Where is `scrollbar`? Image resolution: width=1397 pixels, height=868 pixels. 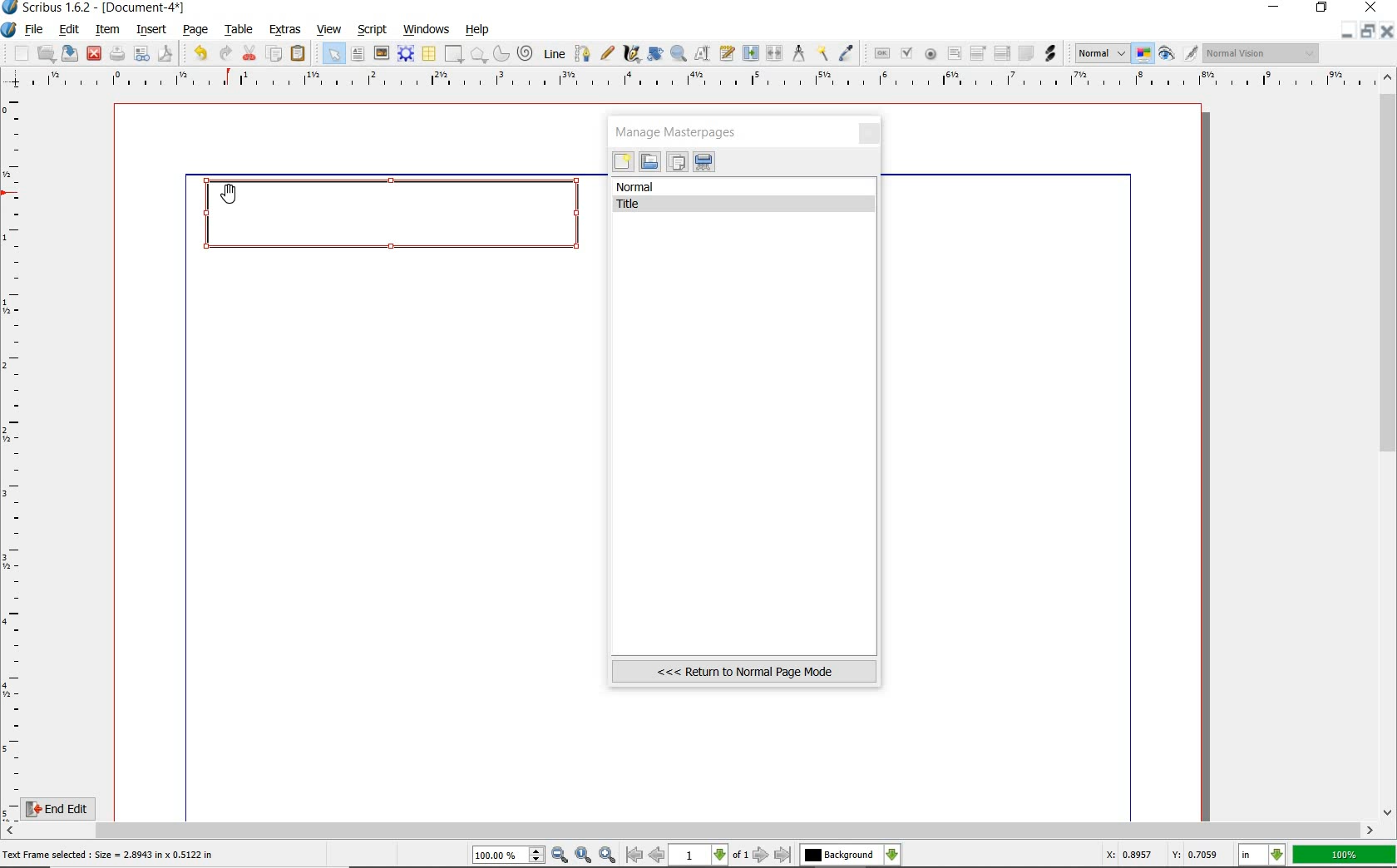 scrollbar is located at coordinates (690, 831).